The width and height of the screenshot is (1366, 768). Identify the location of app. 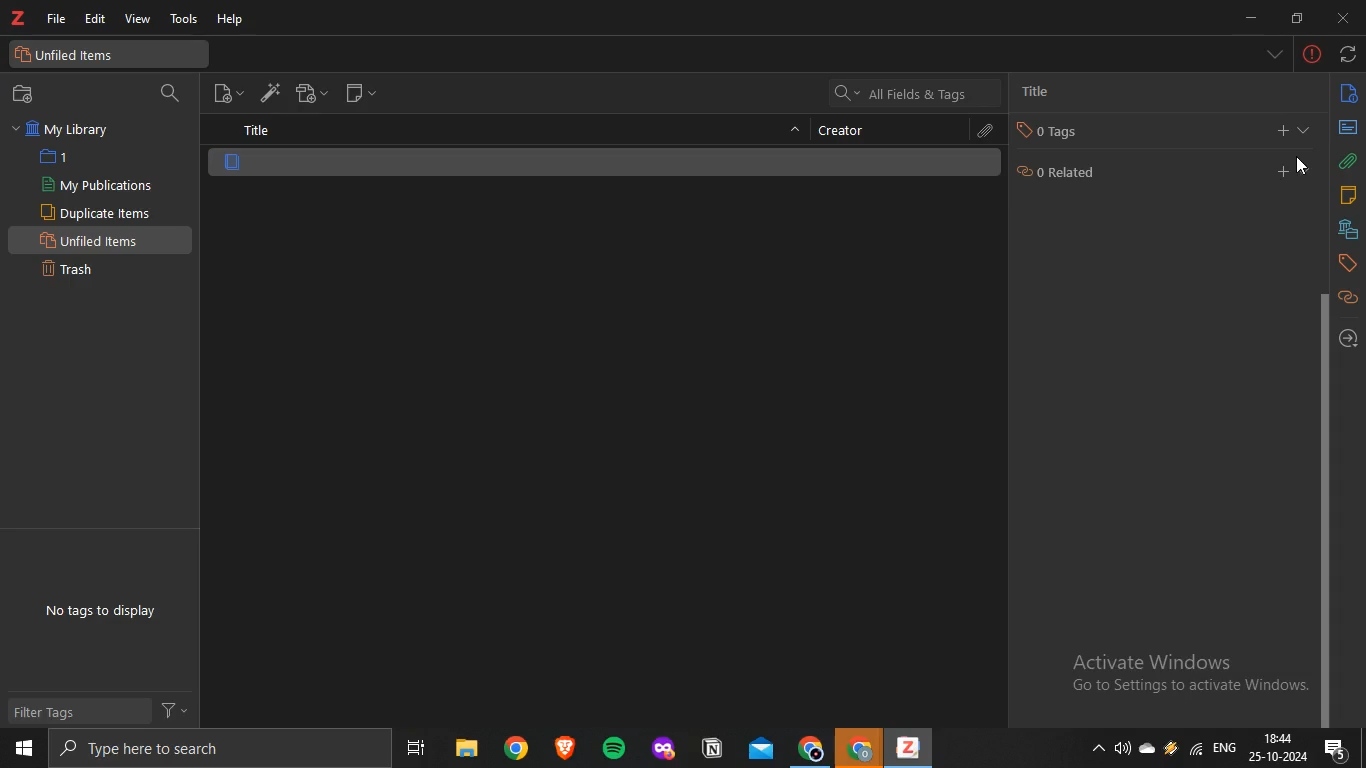
(562, 744).